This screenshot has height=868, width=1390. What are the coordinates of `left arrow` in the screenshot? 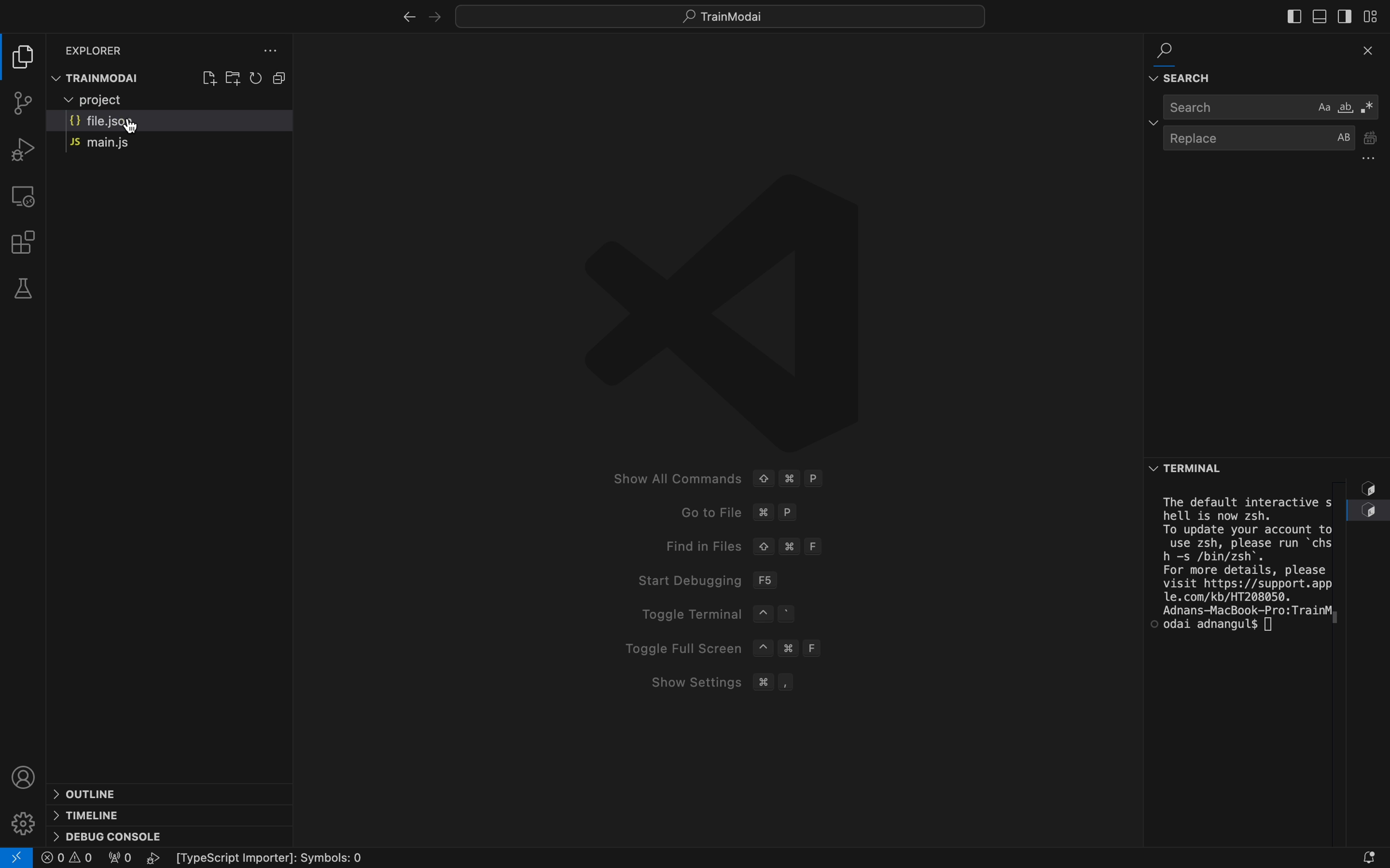 It's located at (433, 15).